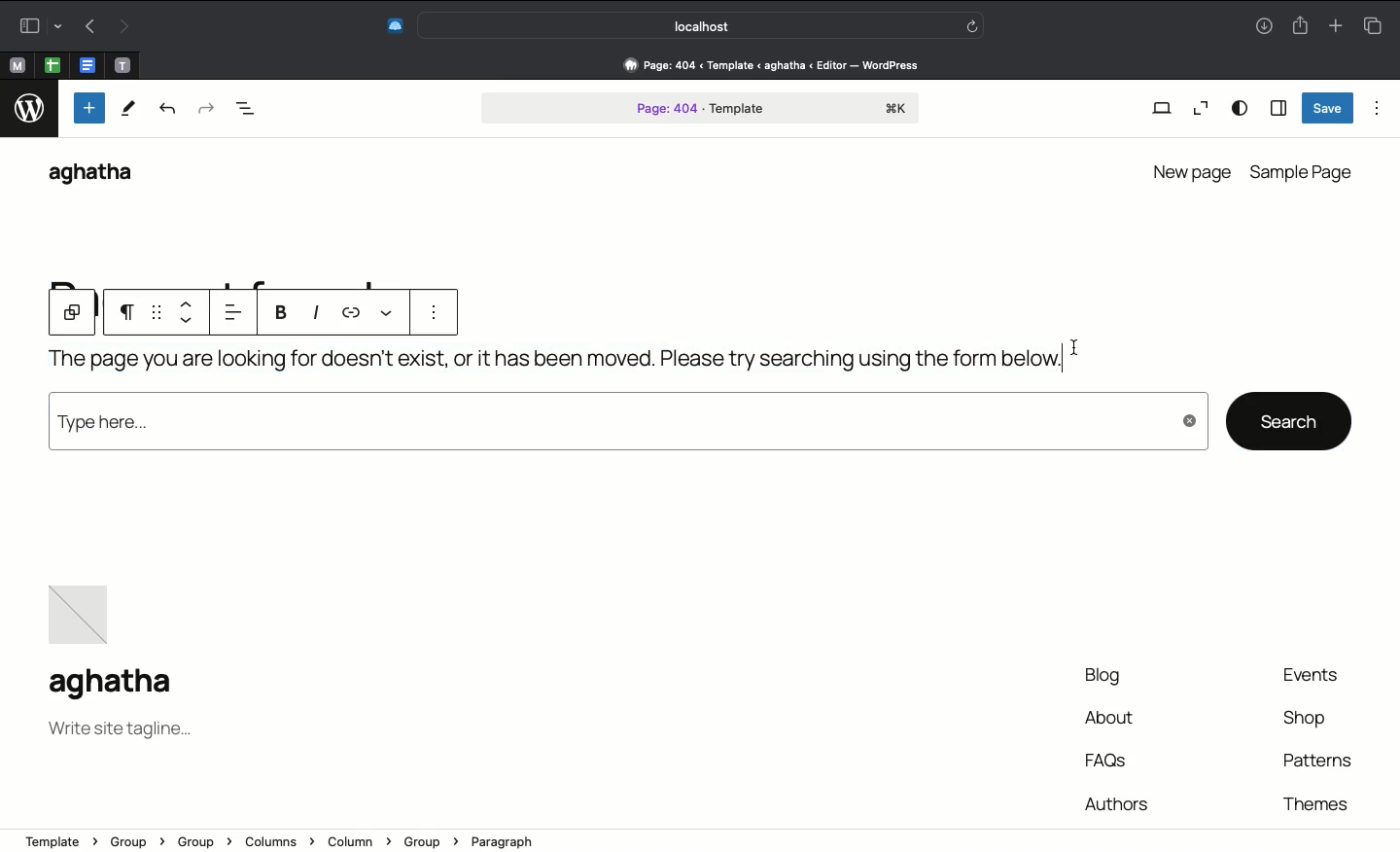 The width and height of the screenshot is (1400, 852). Describe the element at coordinates (1315, 761) in the screenshot. I see `Patterns` at that location.